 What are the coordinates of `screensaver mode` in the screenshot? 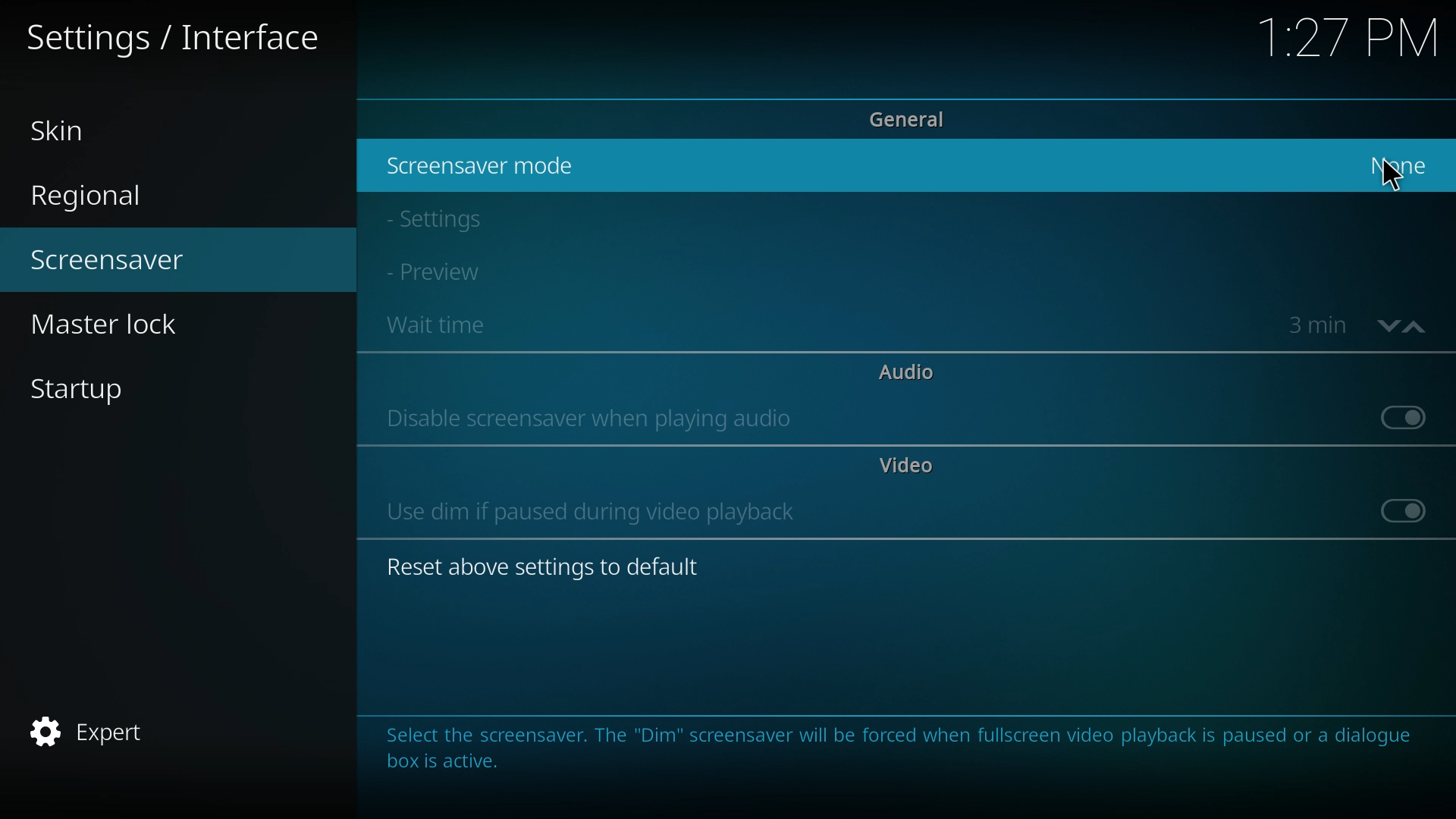 It's located at (483, 165).